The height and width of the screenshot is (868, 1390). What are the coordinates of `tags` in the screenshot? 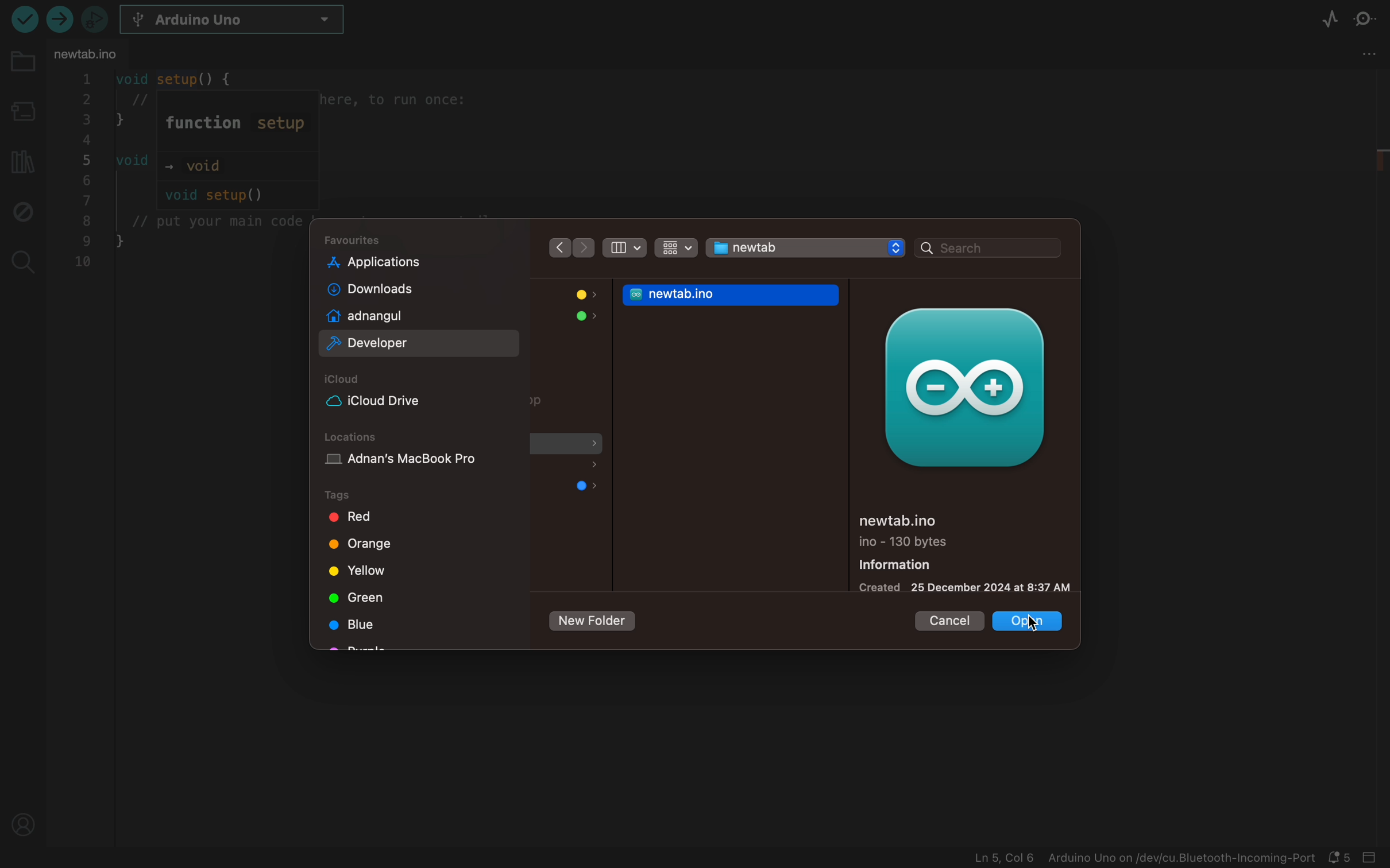 It's located at (347, 496).